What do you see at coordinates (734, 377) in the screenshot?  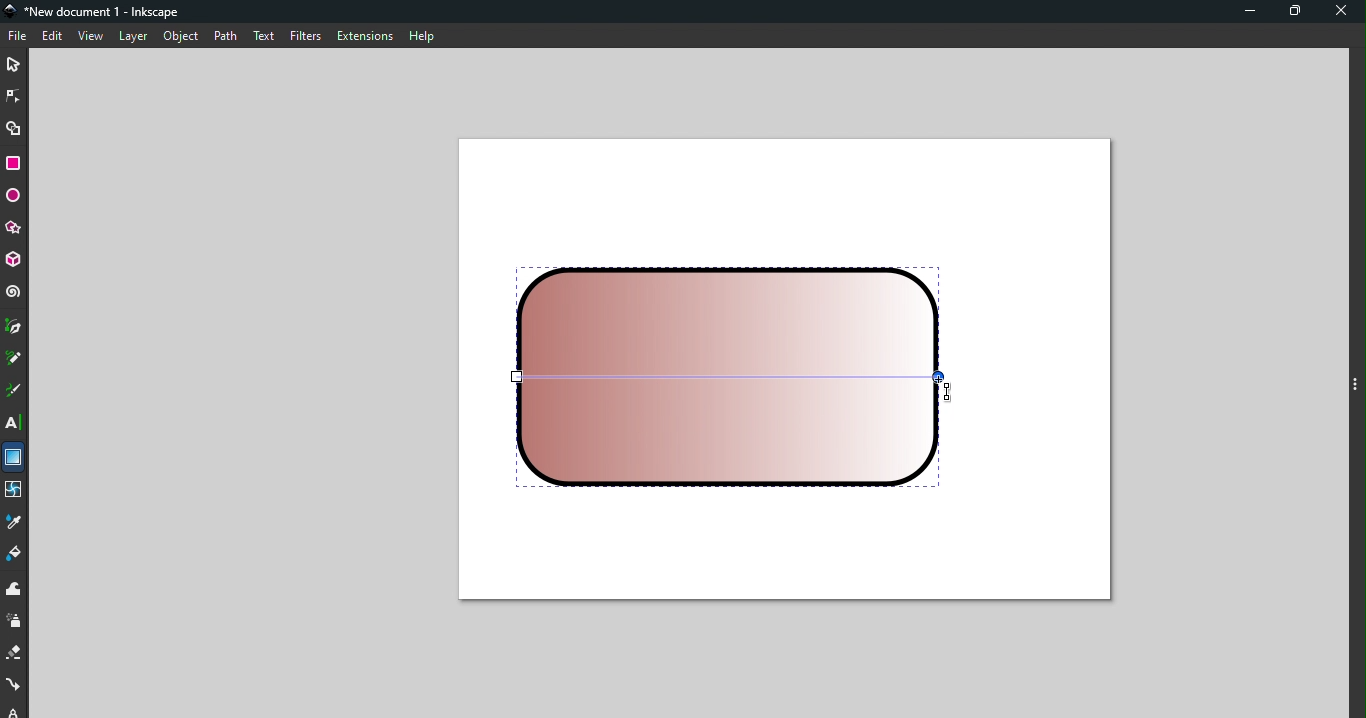 I see `applying color gradient to the selected shape` at bounding box center [734, 377].